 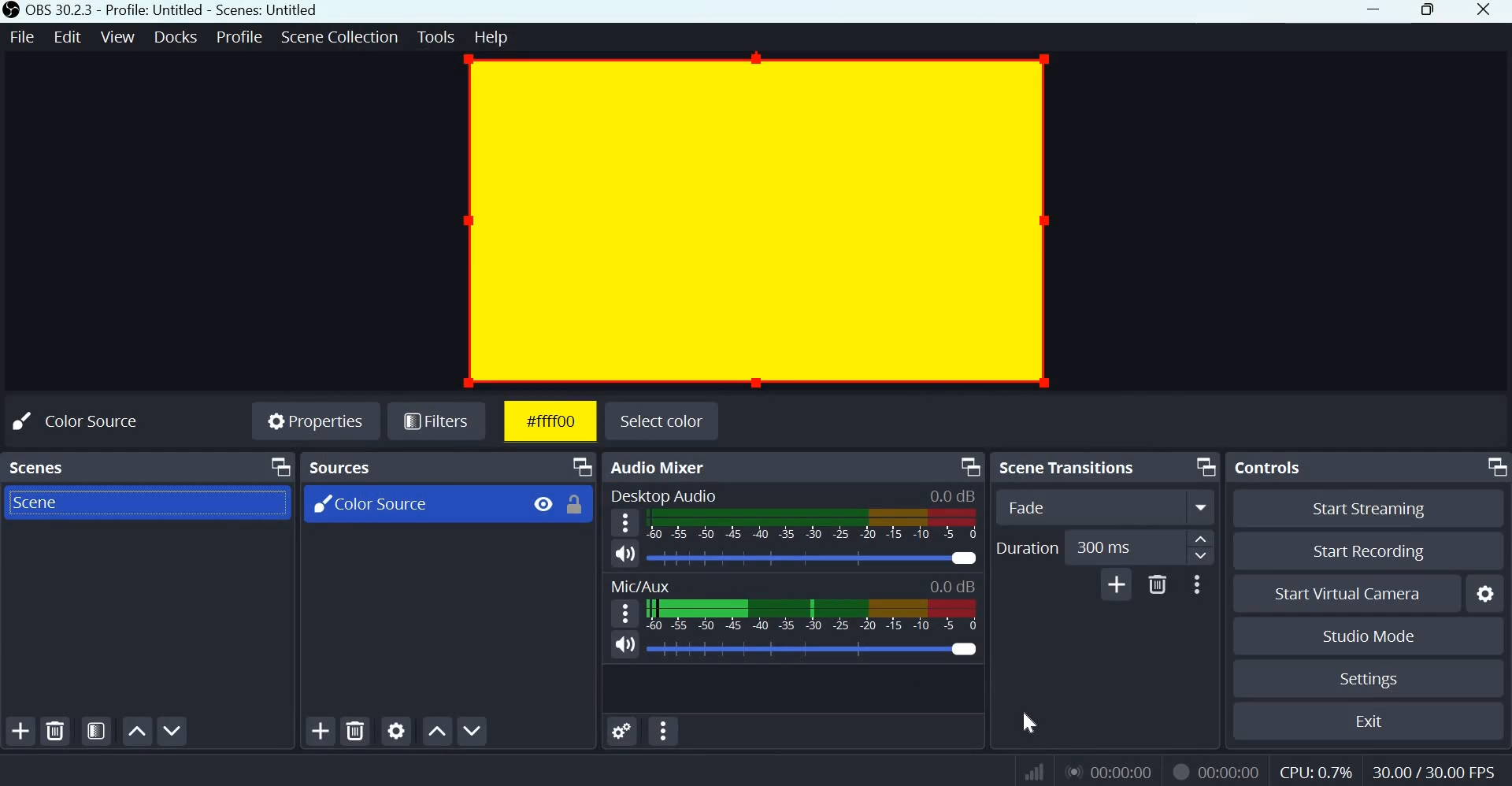 I want to click on Start recording, so click(x=1377, y=552).